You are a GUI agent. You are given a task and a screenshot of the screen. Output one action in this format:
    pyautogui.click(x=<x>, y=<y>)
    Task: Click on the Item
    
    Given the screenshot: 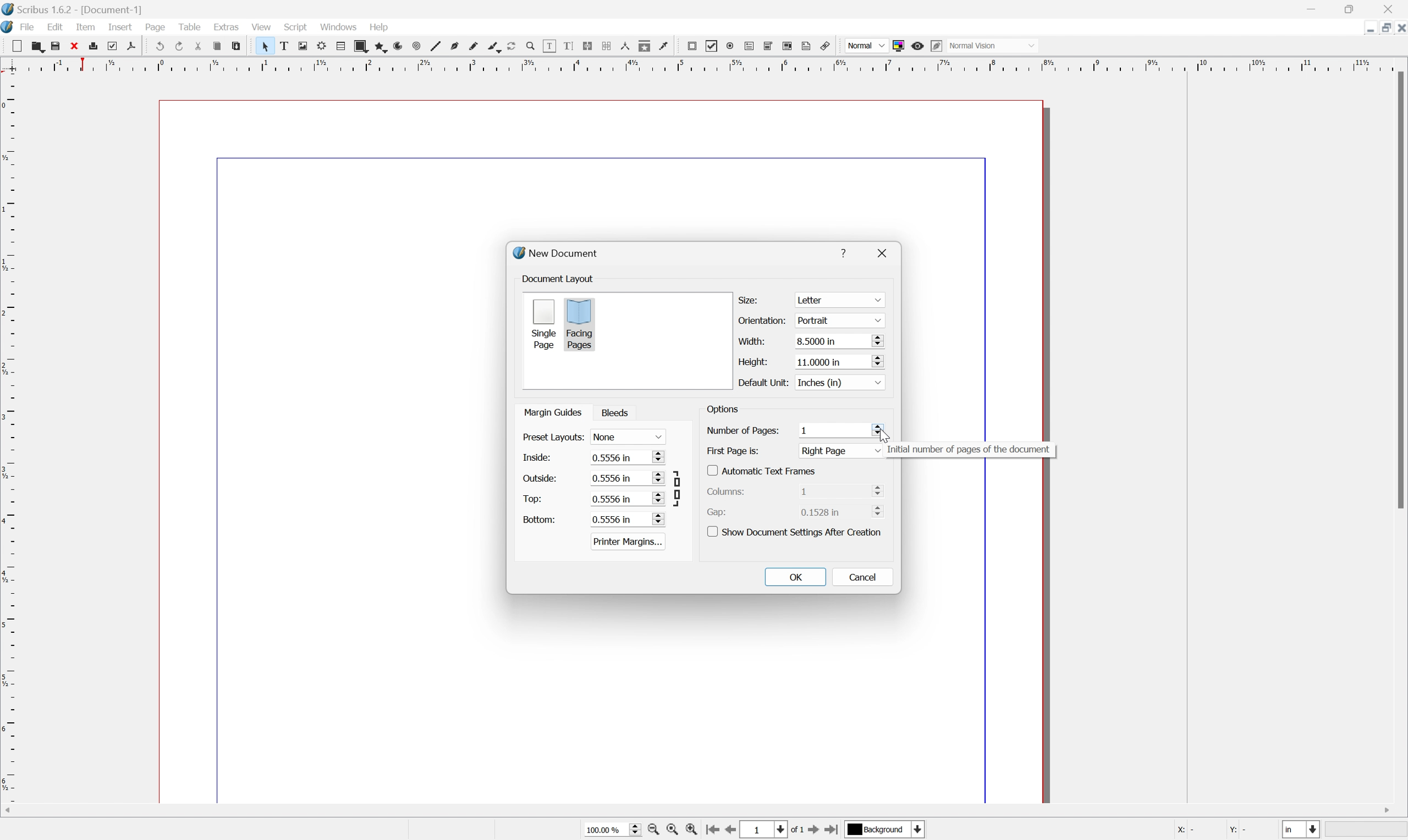 What is the action you would take?
    pyautogui.click(x=89, y=27)
    